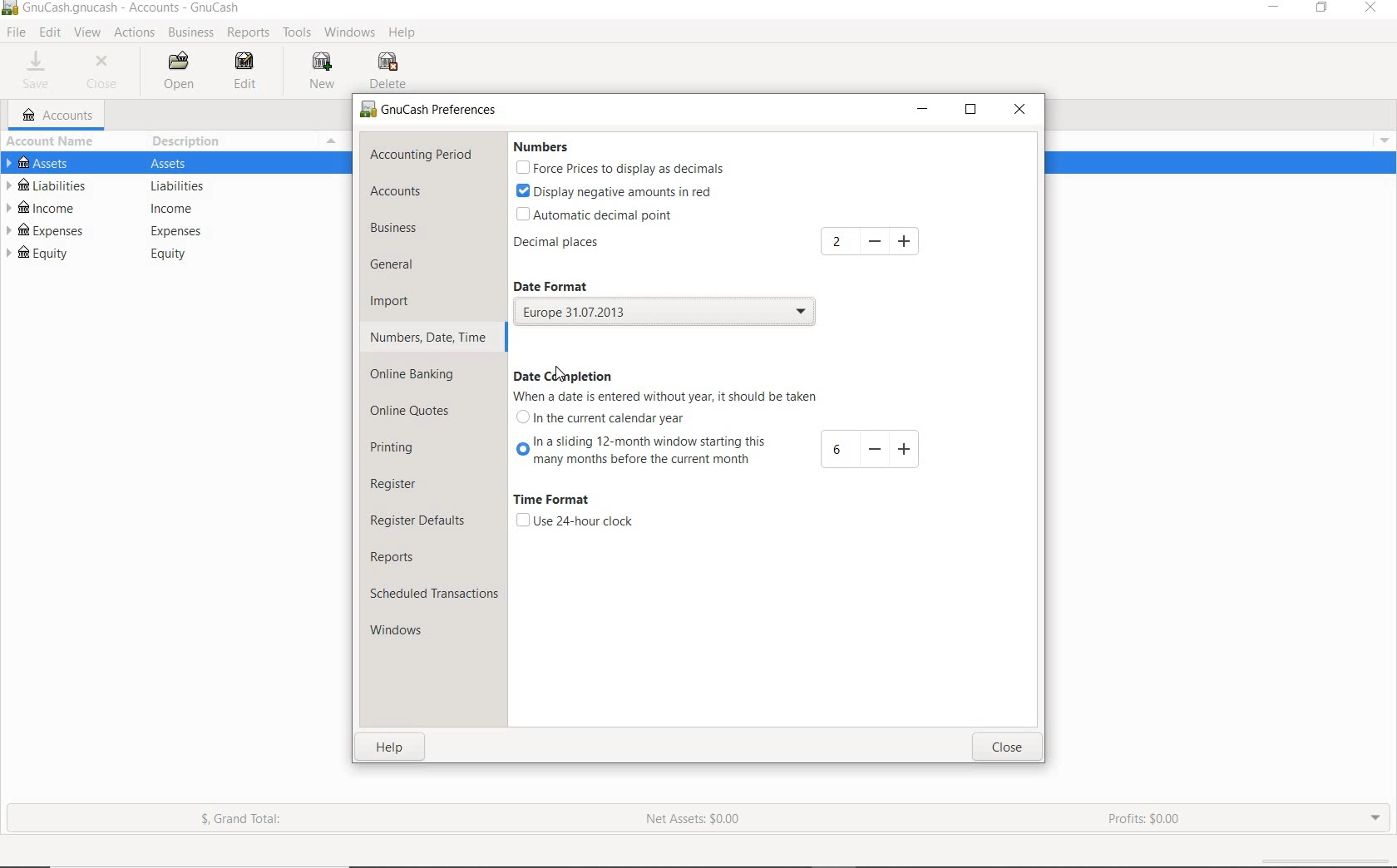 This screenshot has height=868, width=1397. What do you see at coordinates (403, 33) in the screenshot?
I see `HELP` at bounding box center [403, 33].